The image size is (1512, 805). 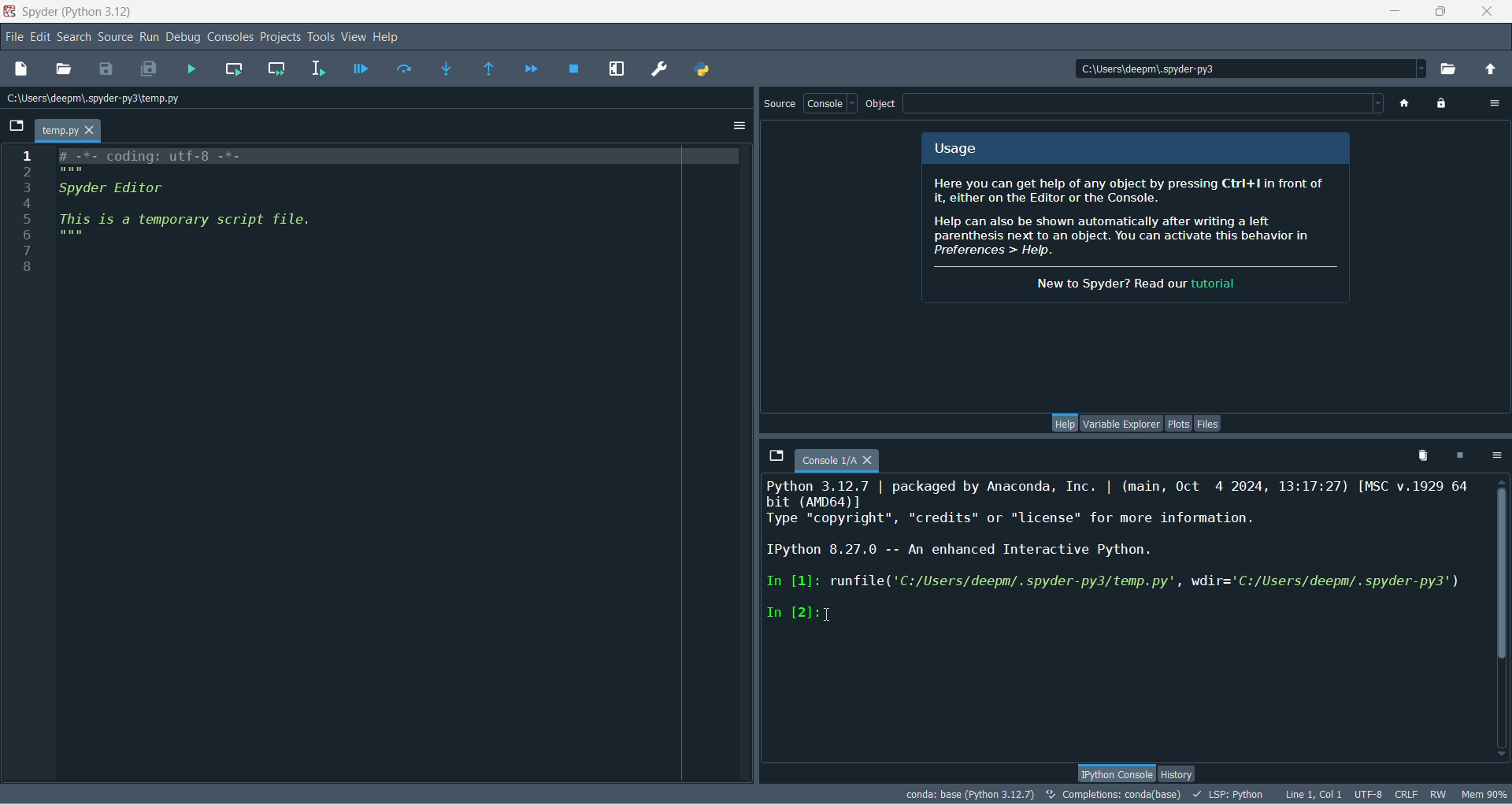 I want to click on numbers, so click(x=28, y=210).